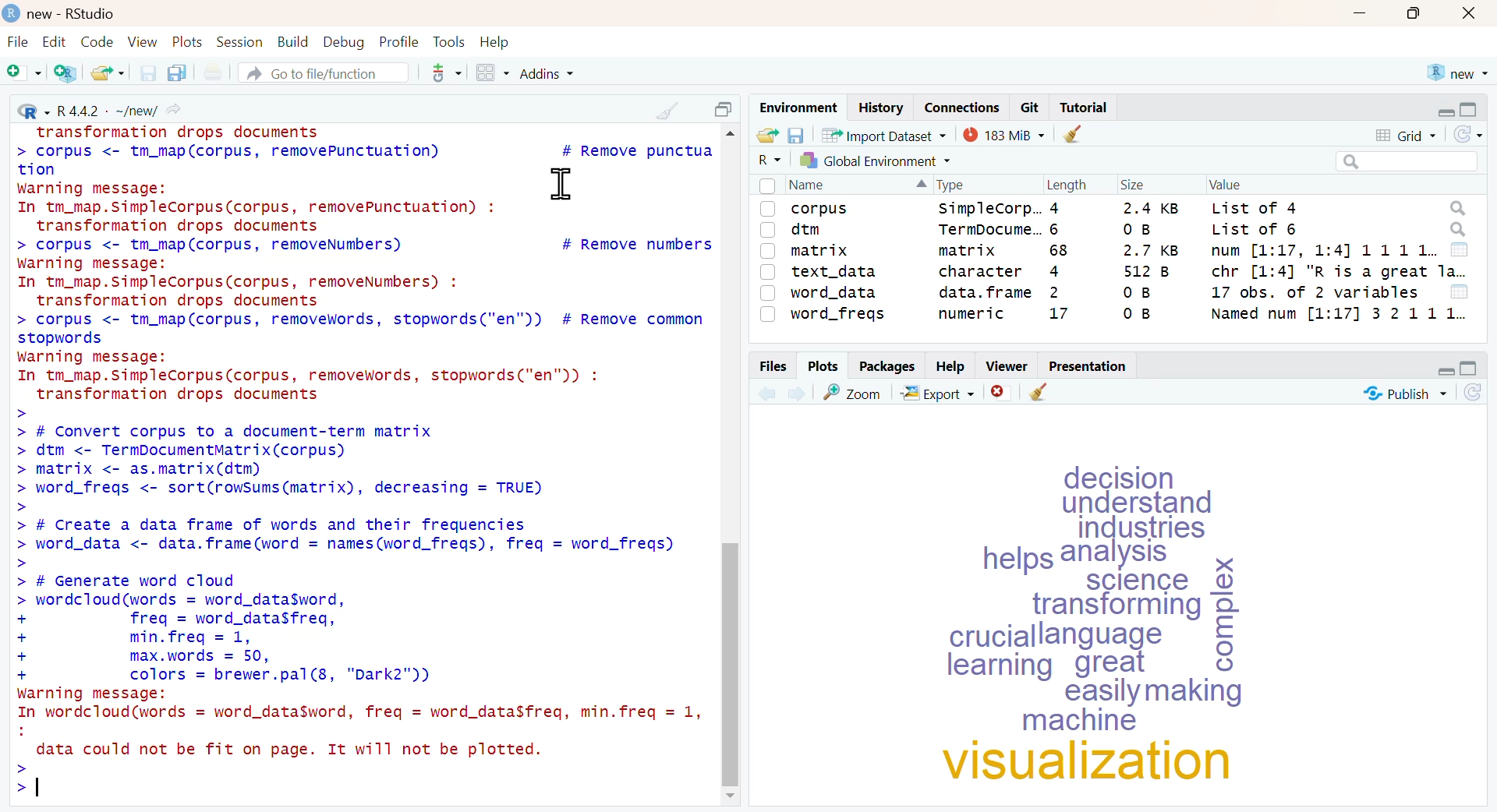 The image size is (1497, 812). Describe the element at coordinates (1474, 392) in the screenshot. I see `Refresh` at that location.